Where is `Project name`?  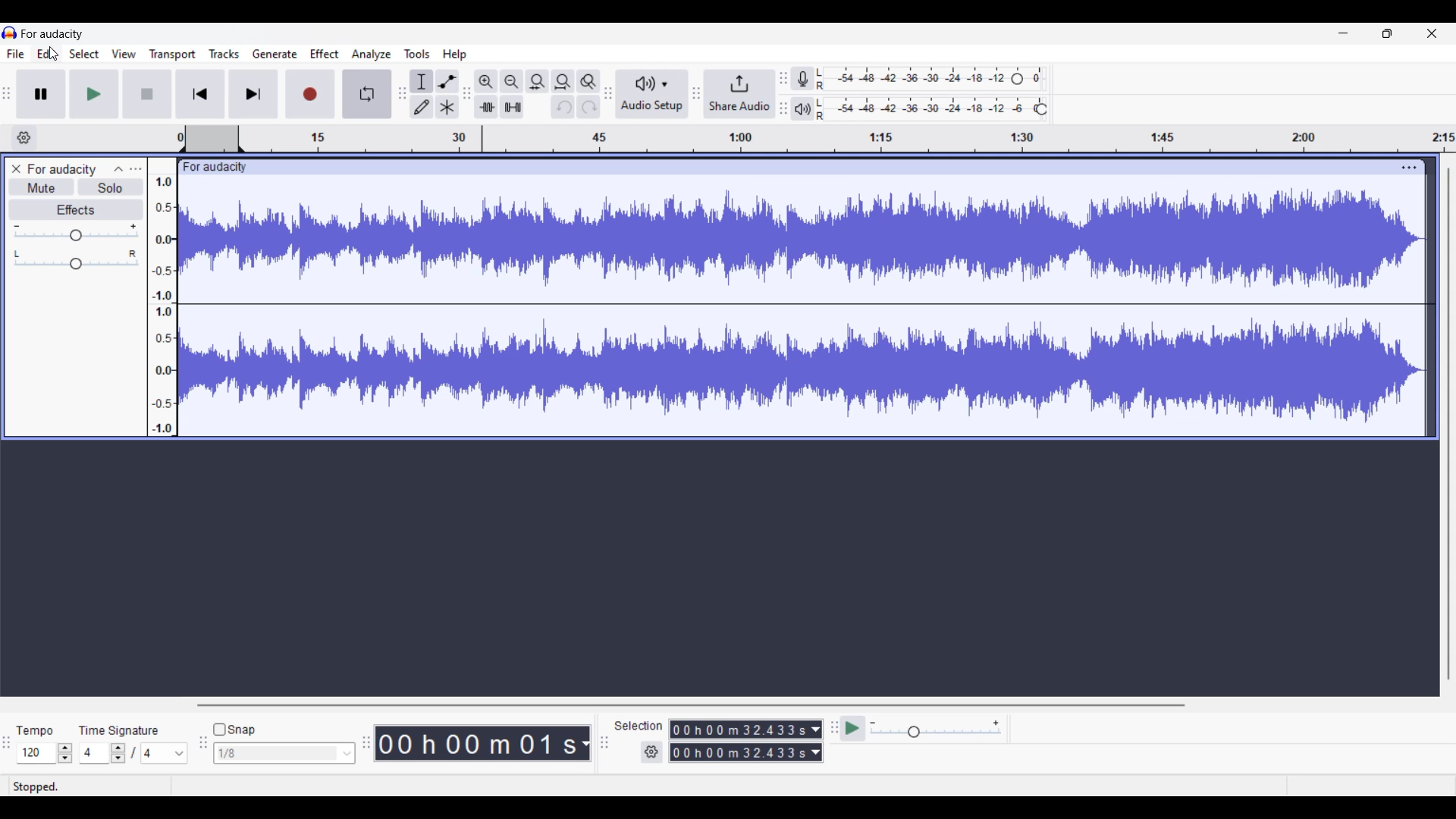
Project name is located at coordinates (61, 170).